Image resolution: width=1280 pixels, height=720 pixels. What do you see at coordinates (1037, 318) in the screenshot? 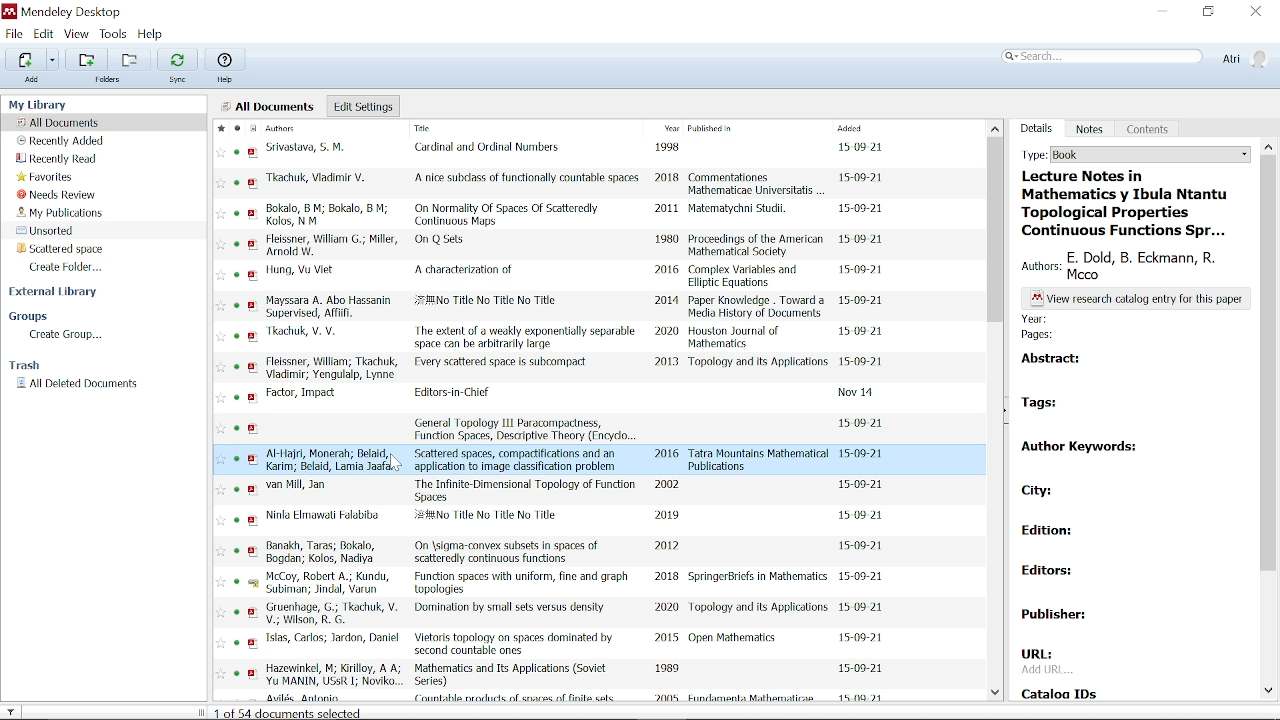
I see `year` at bounding box center [1037, 318].